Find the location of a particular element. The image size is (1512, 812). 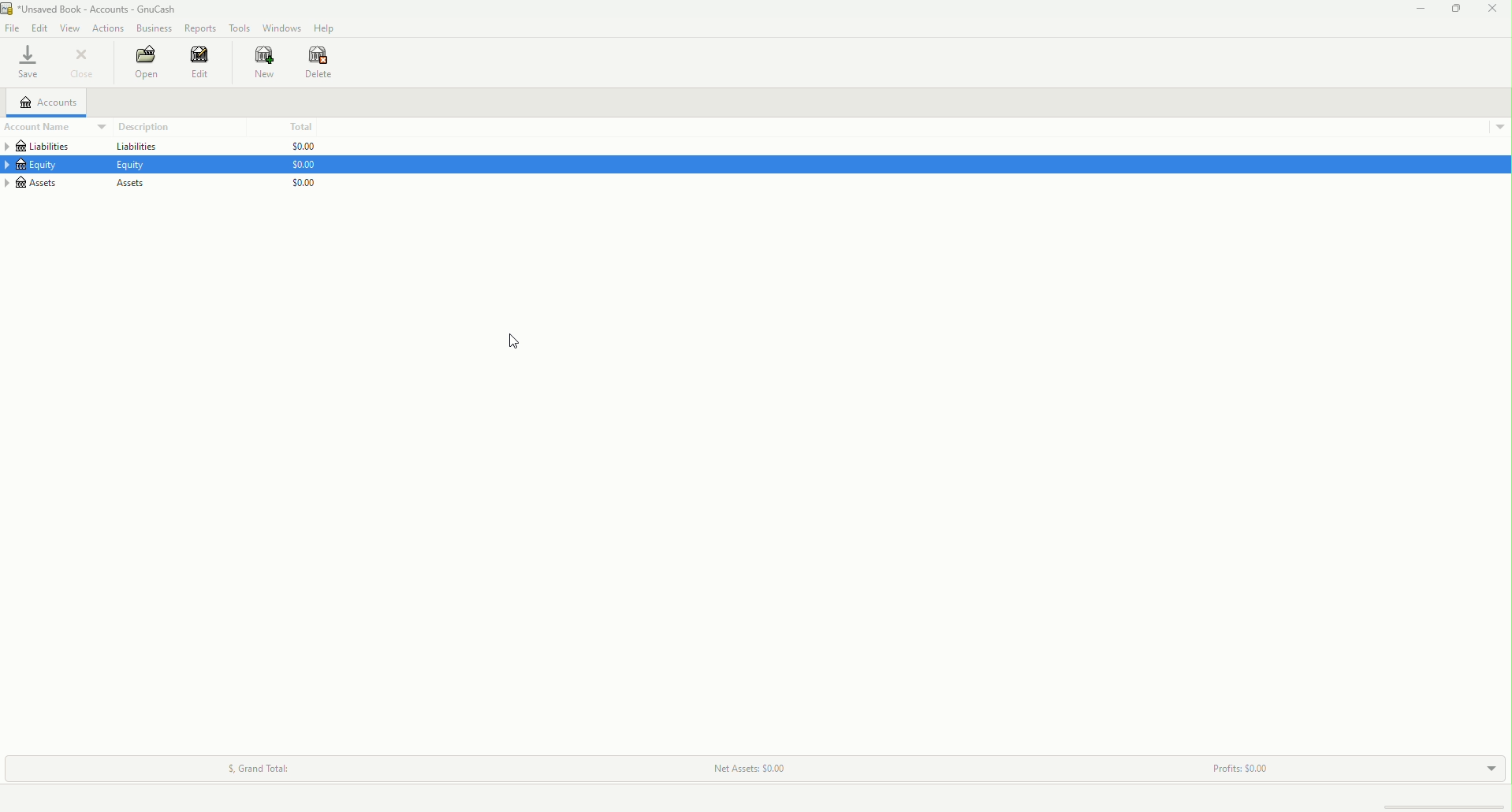

Total is located at coordinates (300, 126).